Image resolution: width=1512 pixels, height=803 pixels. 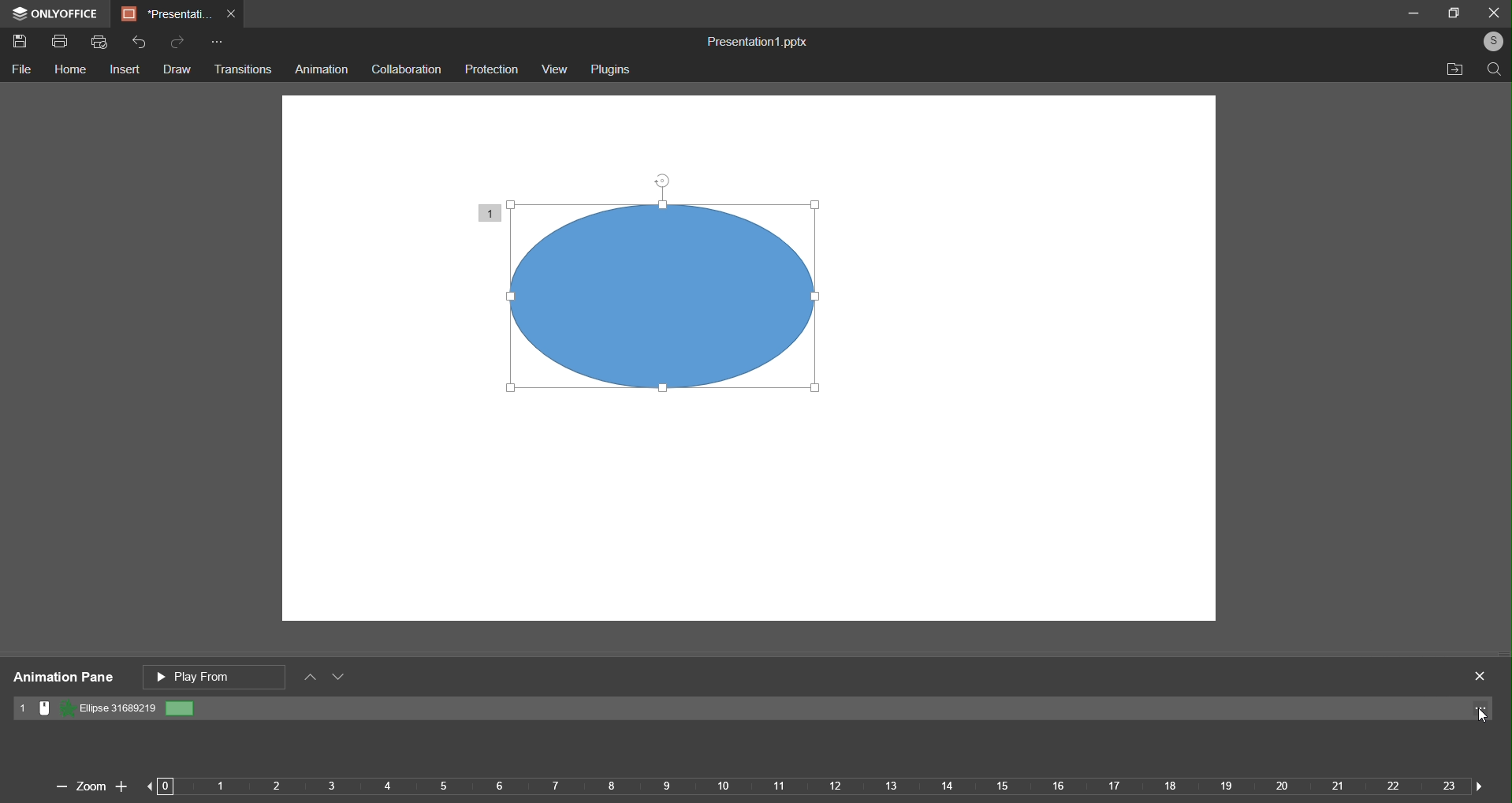 I want to click on insert, so click(x=125, y=71).